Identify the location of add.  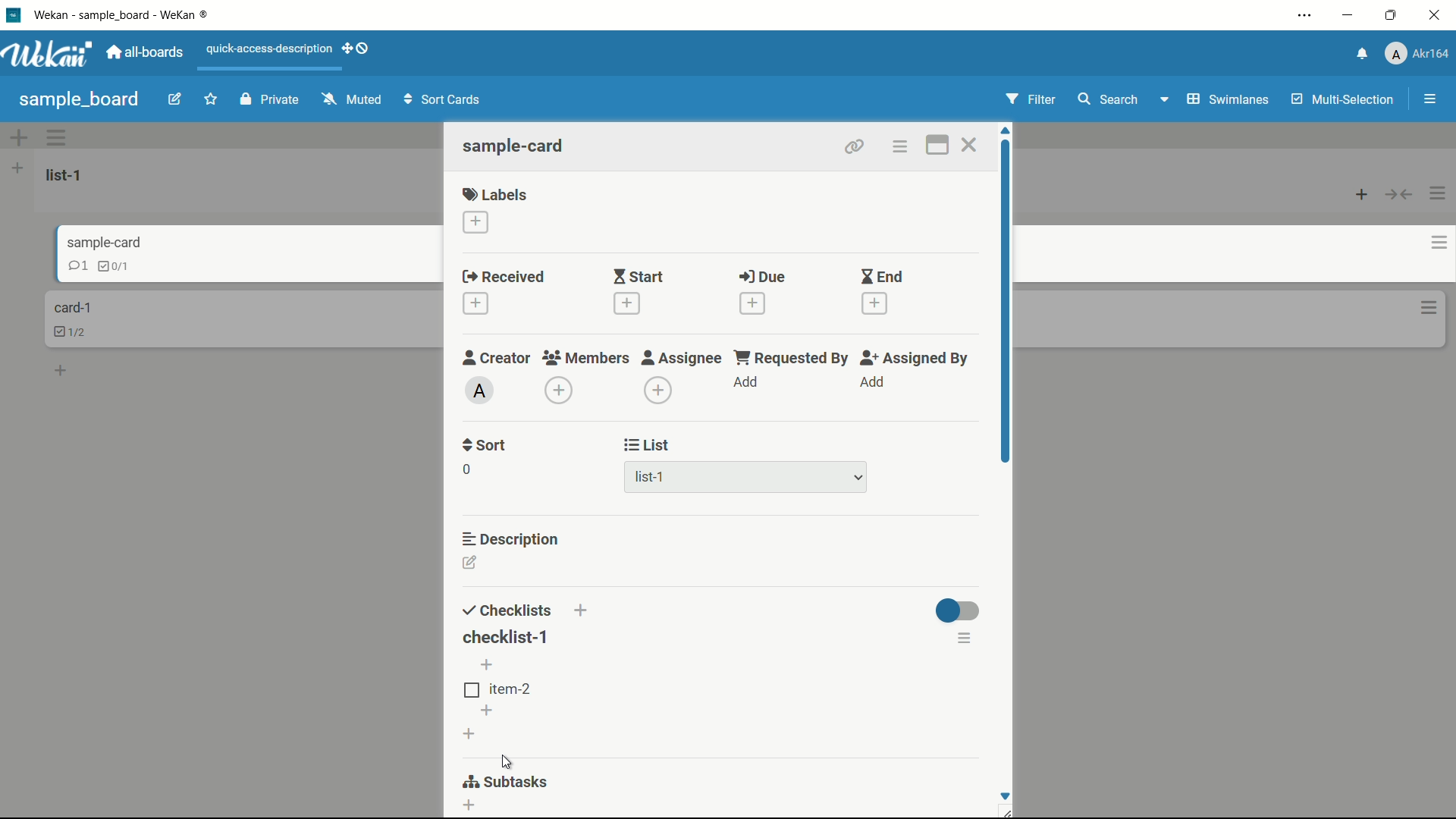
(62, 369).